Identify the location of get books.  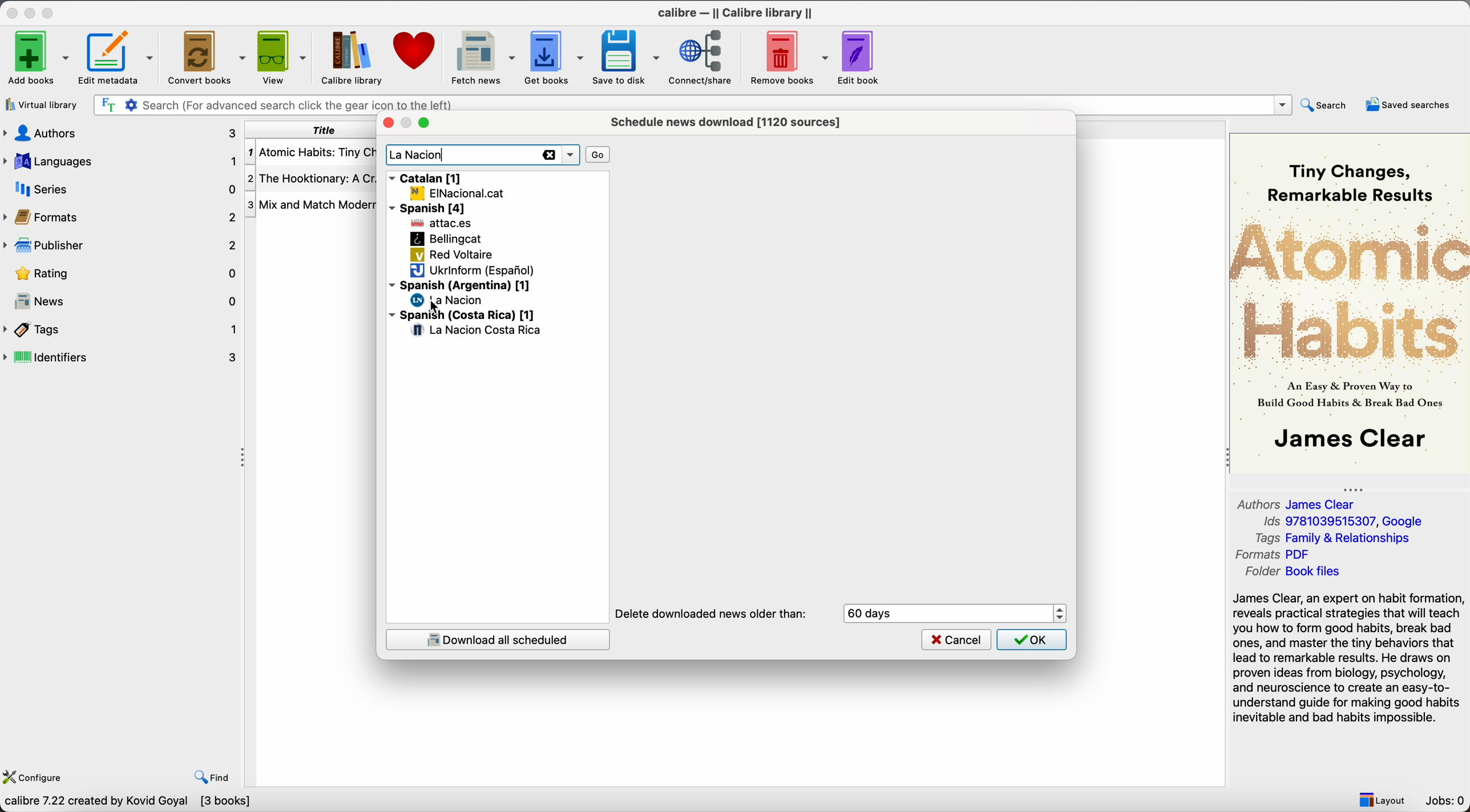
(554, 58).